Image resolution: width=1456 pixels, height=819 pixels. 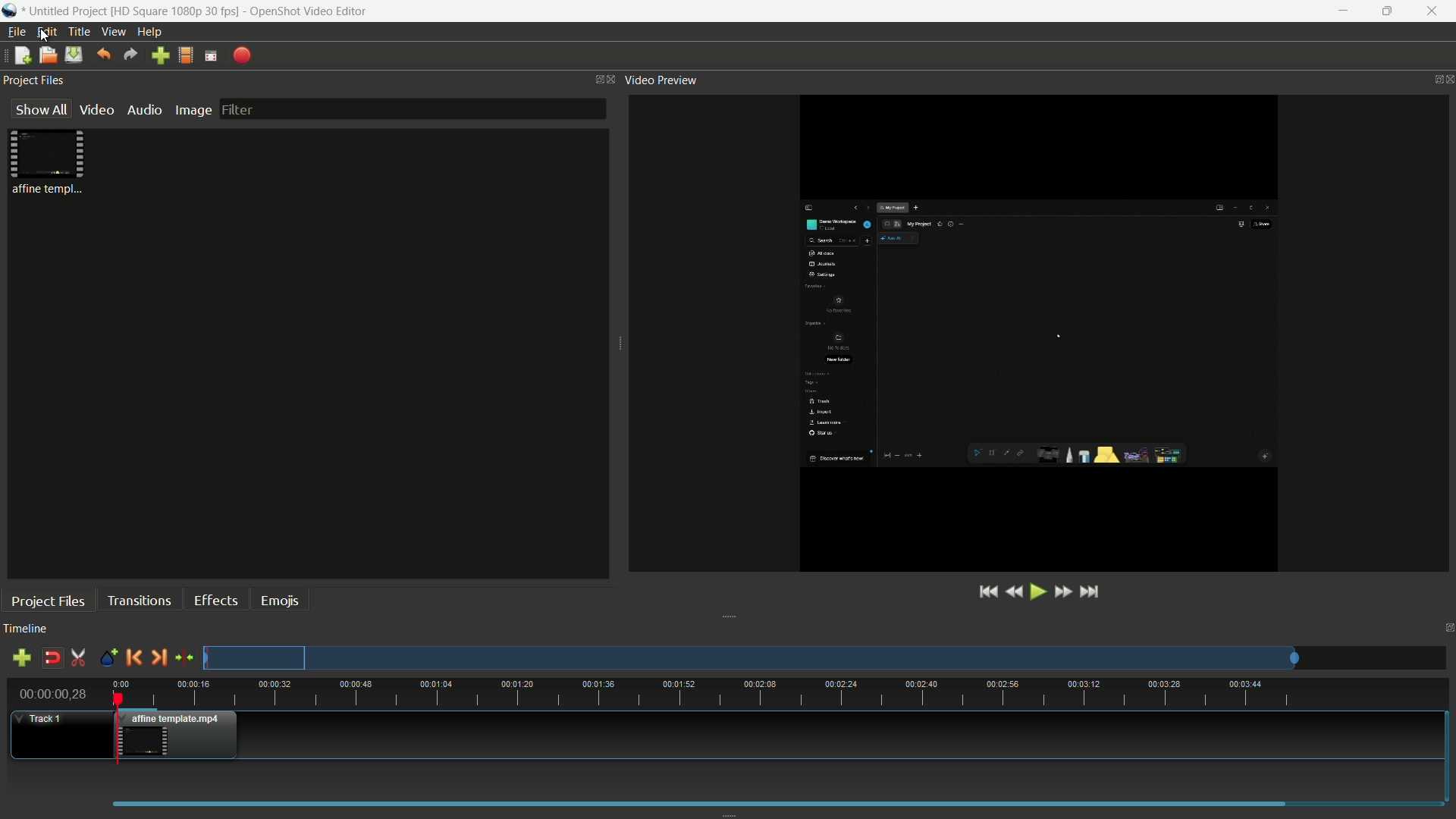 What do you see at coordinates (138, 600) in the screenshot?
I see `transitions` at bounding box center [138, 600].